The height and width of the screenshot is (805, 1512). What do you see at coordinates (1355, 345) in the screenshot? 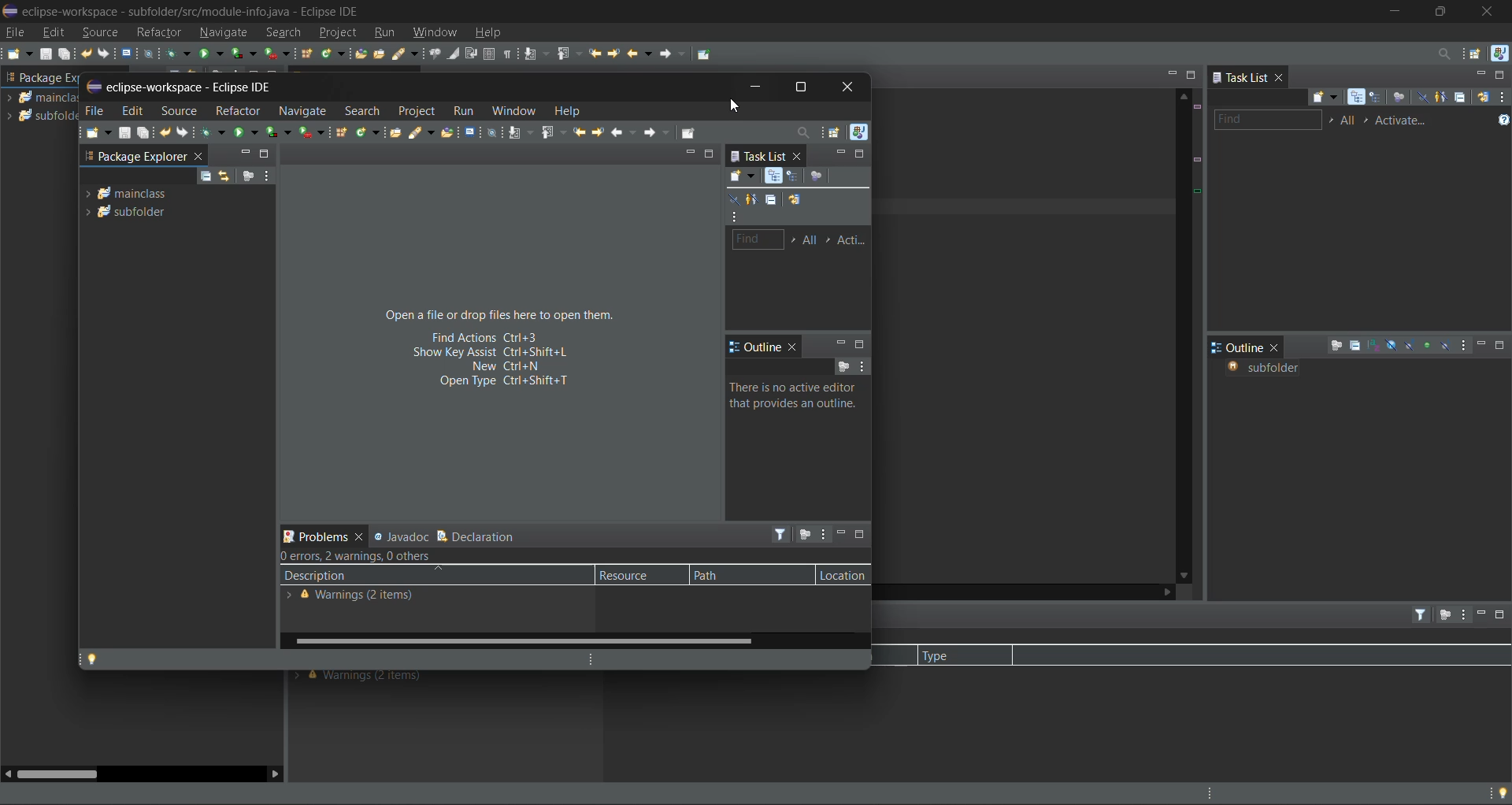
I see `collapse all` at bounding box center [1355, 345].